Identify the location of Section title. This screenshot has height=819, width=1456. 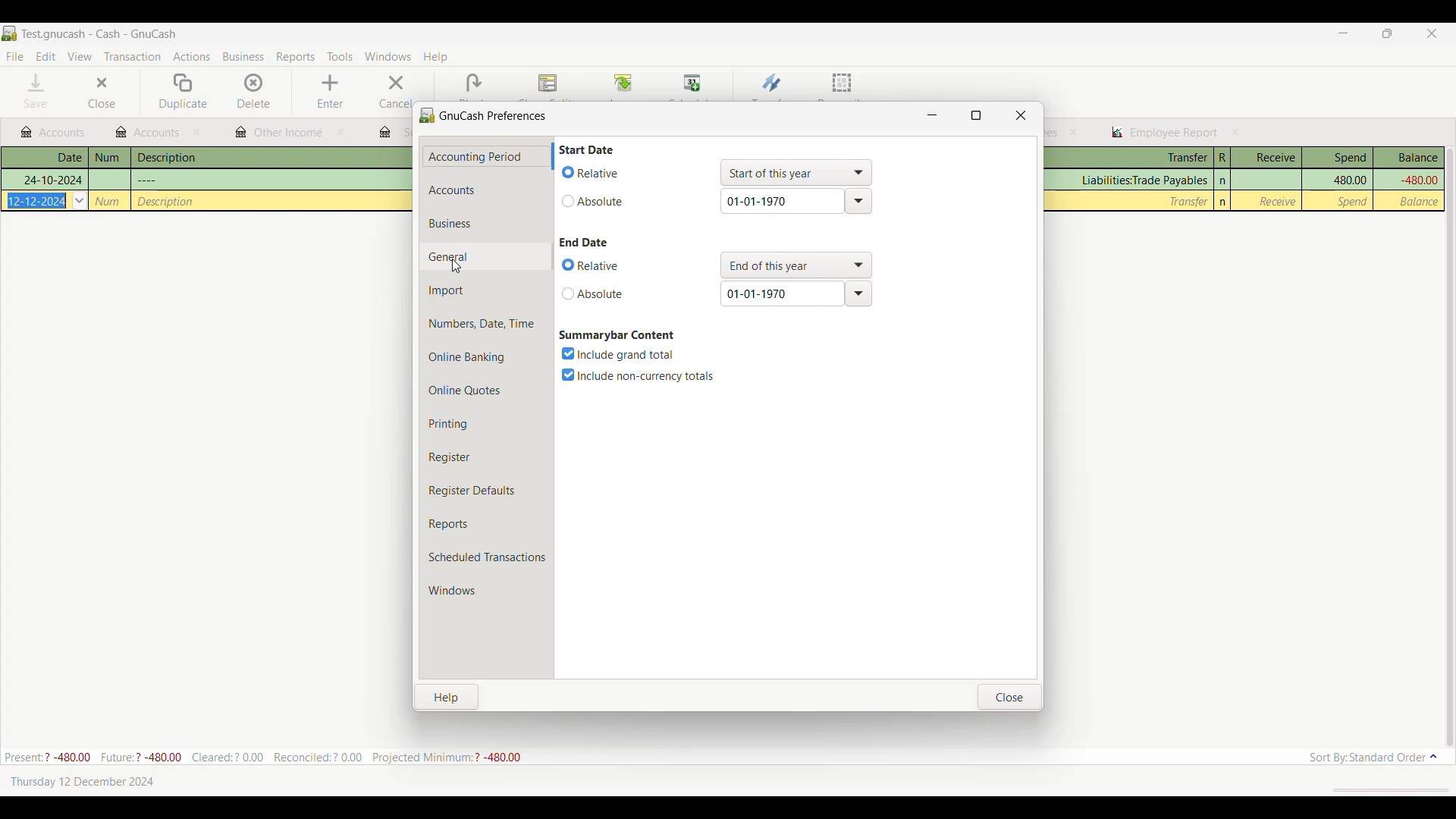
(618, 335).